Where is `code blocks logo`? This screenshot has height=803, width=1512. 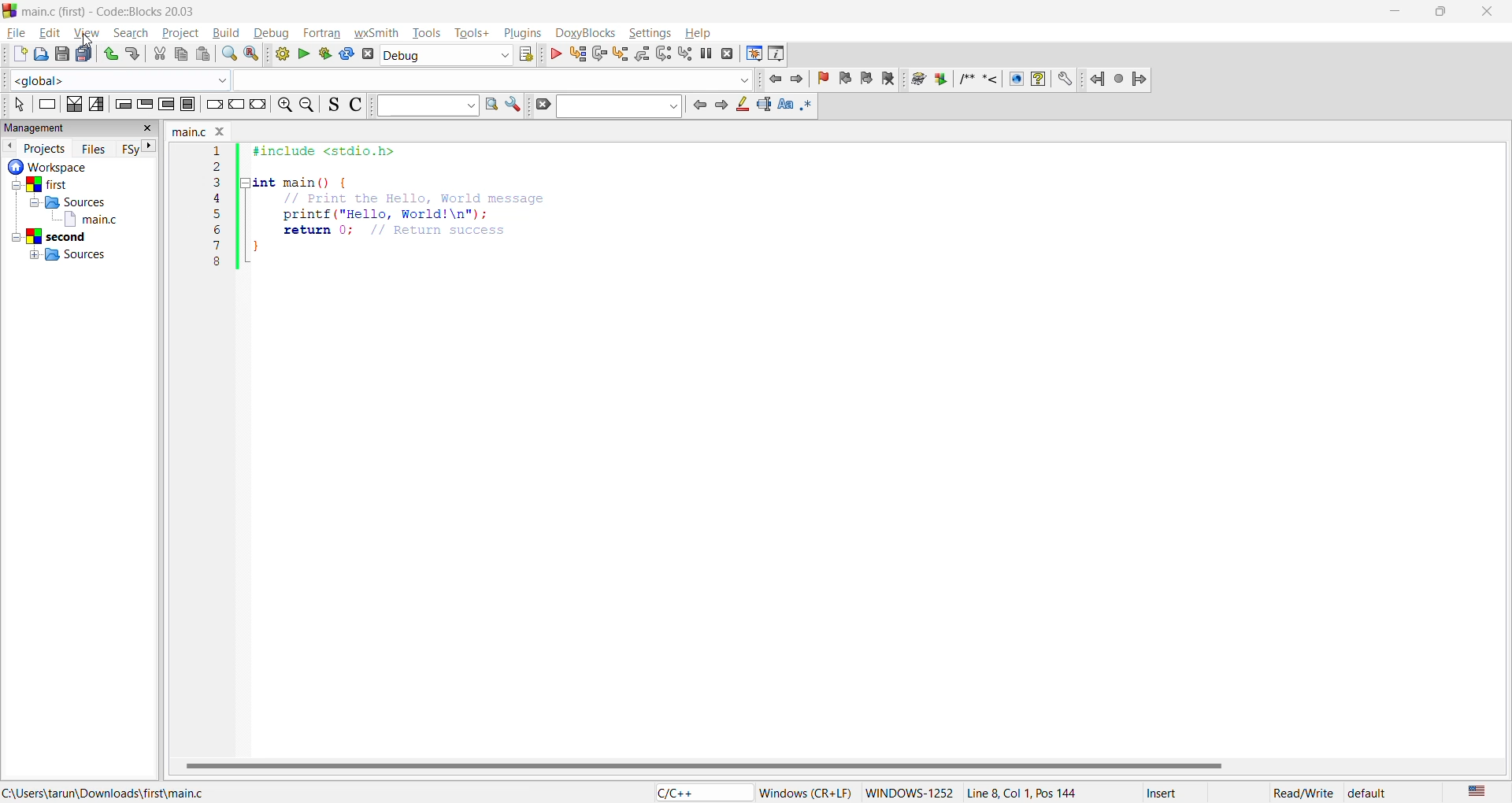
code blocks logo is located at coordinates (9, 12).